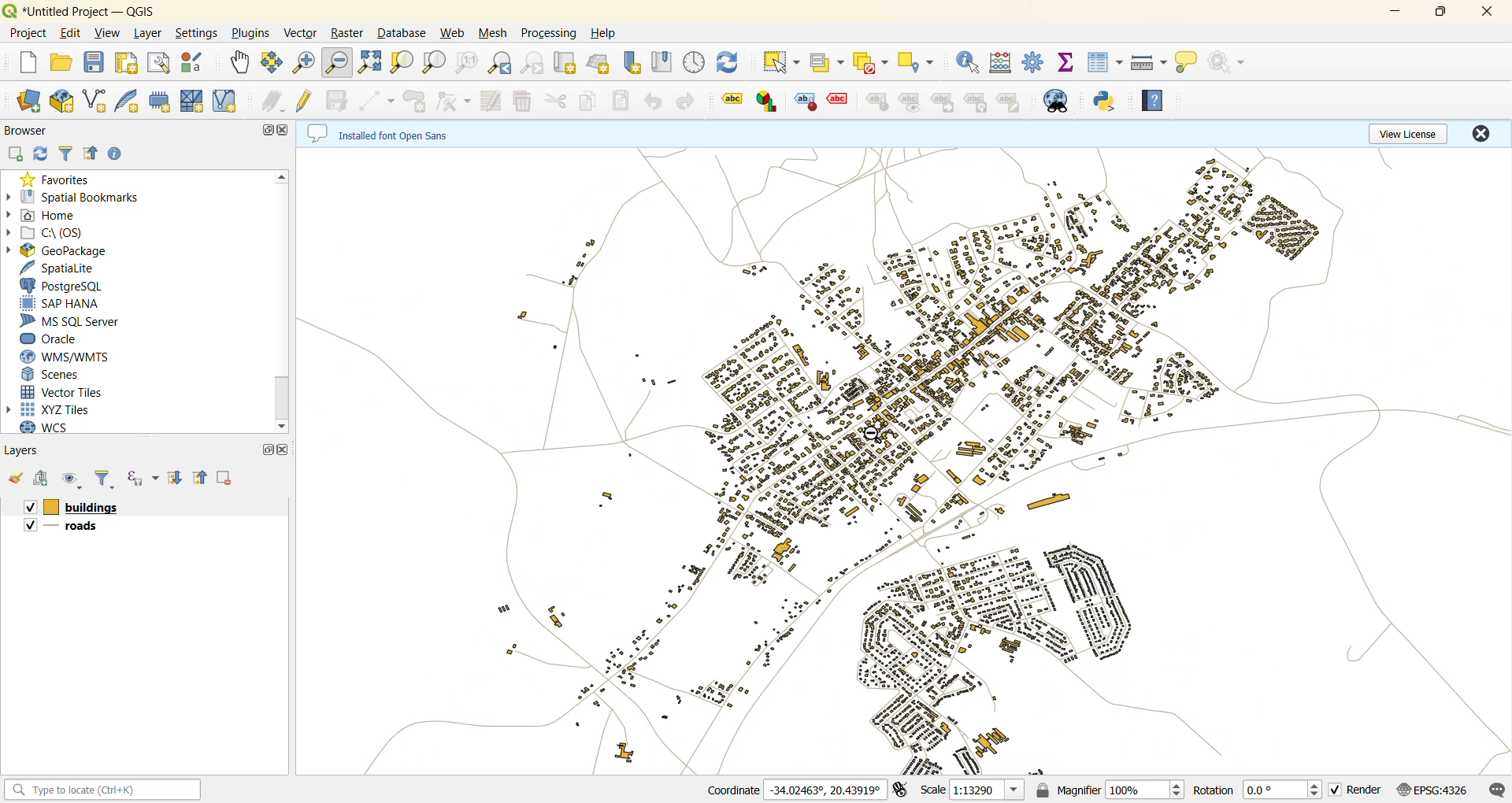 Image resolution: width=1512 pixels, height=803 pixels. What do you see at coordinates (199, 35) in the screenshot?
I see `settings` at bounding box center [199, 35].